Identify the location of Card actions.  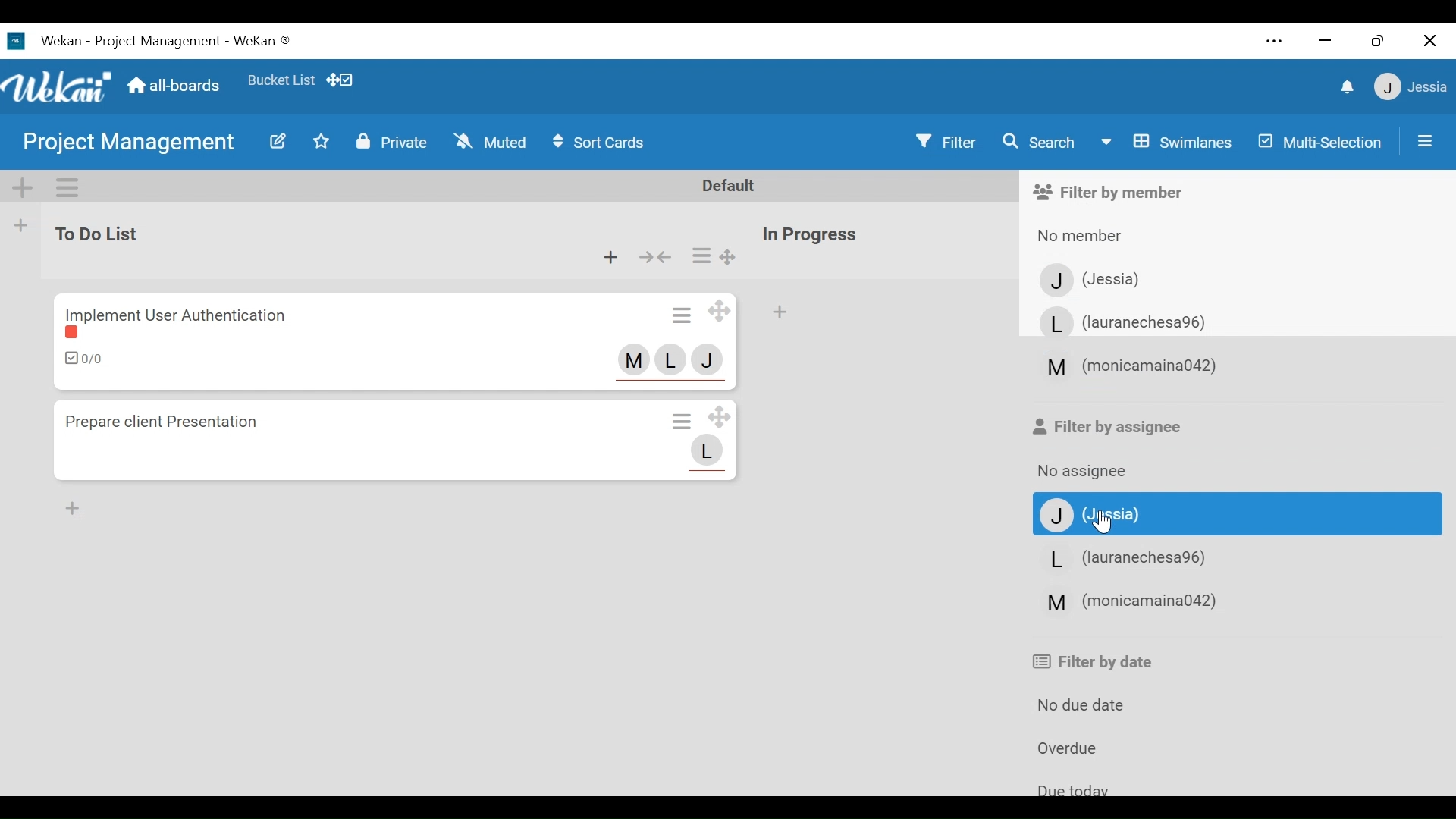
(680, 421).